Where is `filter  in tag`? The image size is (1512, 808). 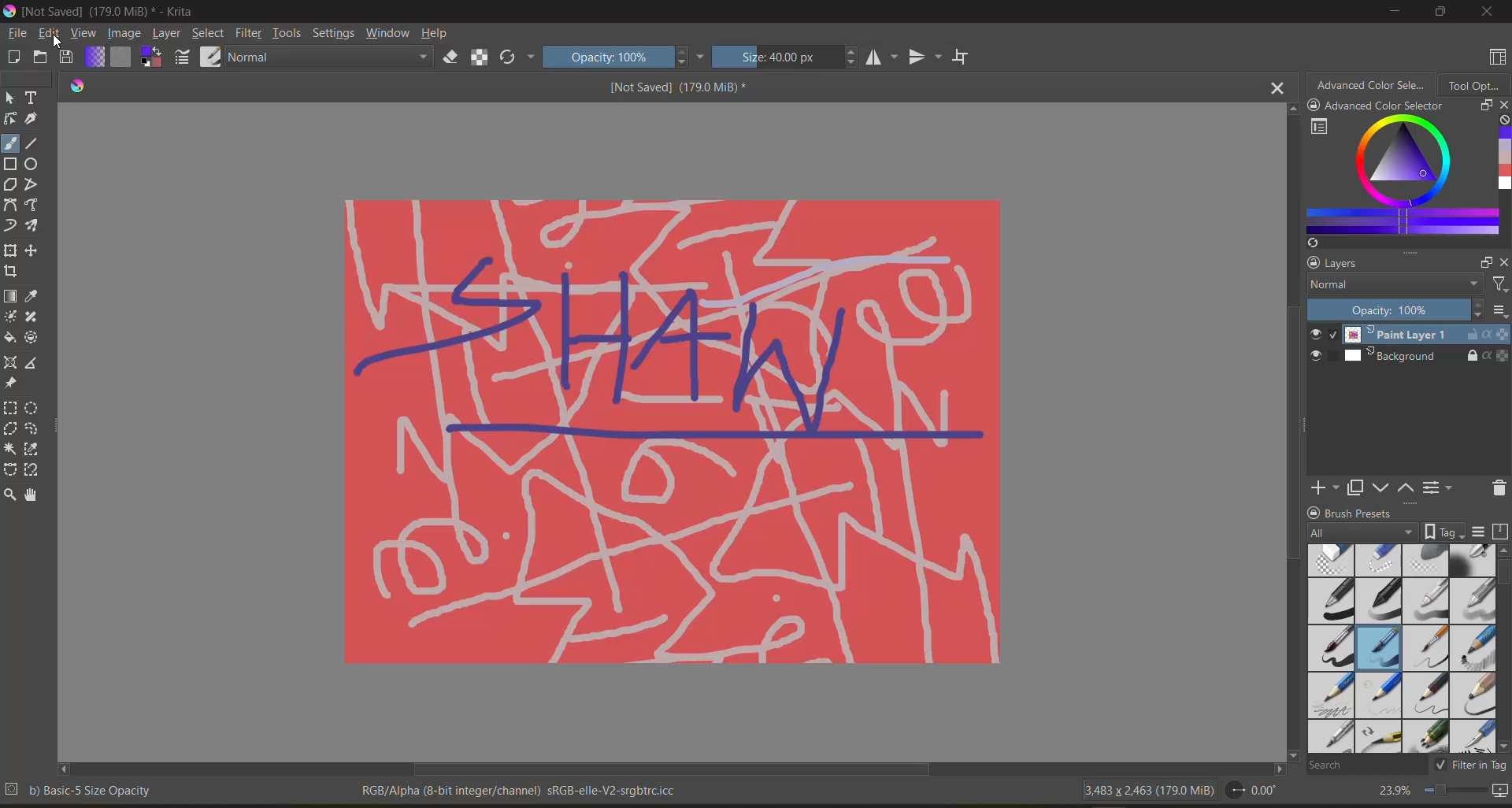 filter  in tag is located at coordinates (1469, 766).